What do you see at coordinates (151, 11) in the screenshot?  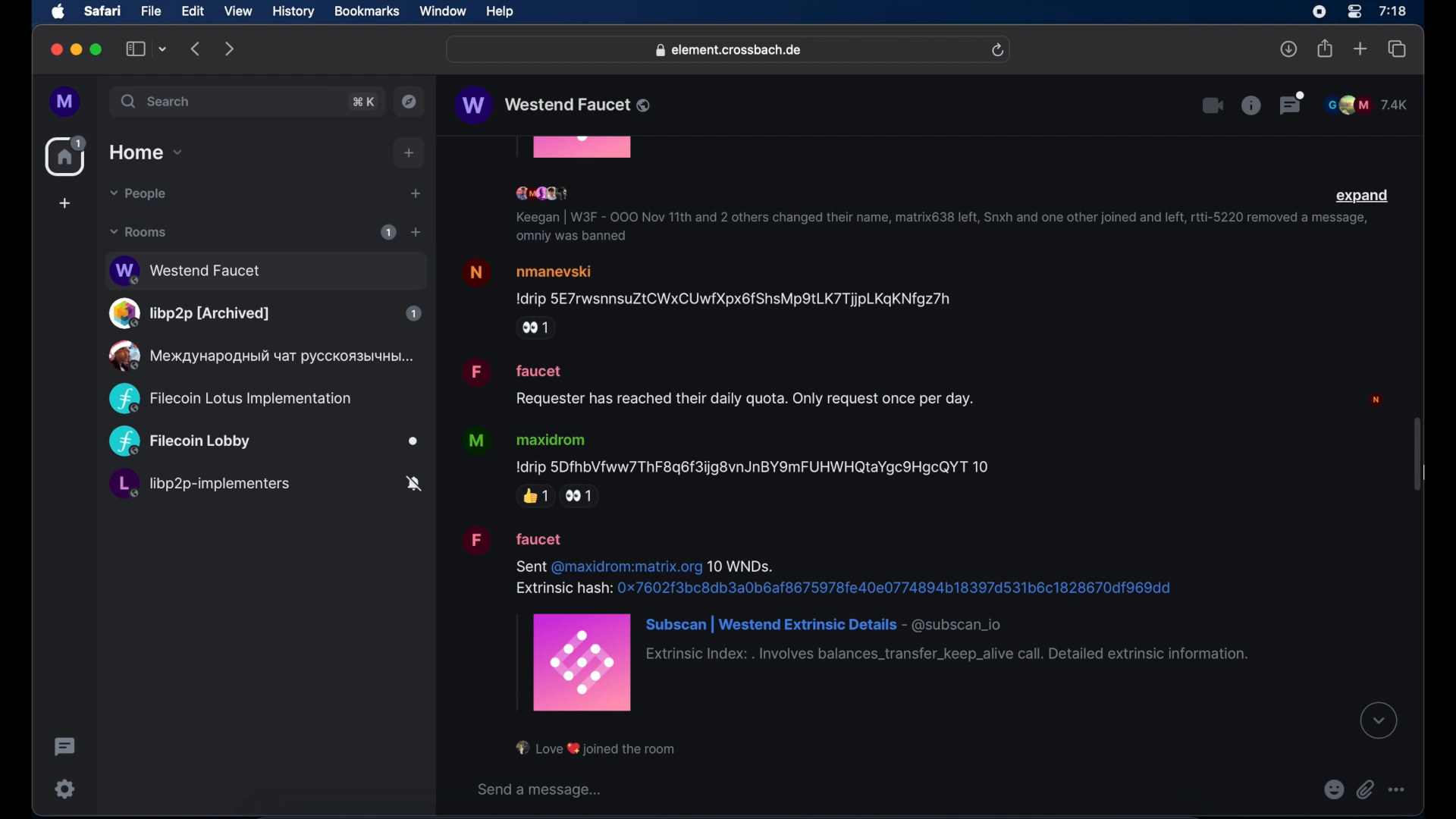 I see `file` at bounding box center [151, 11].